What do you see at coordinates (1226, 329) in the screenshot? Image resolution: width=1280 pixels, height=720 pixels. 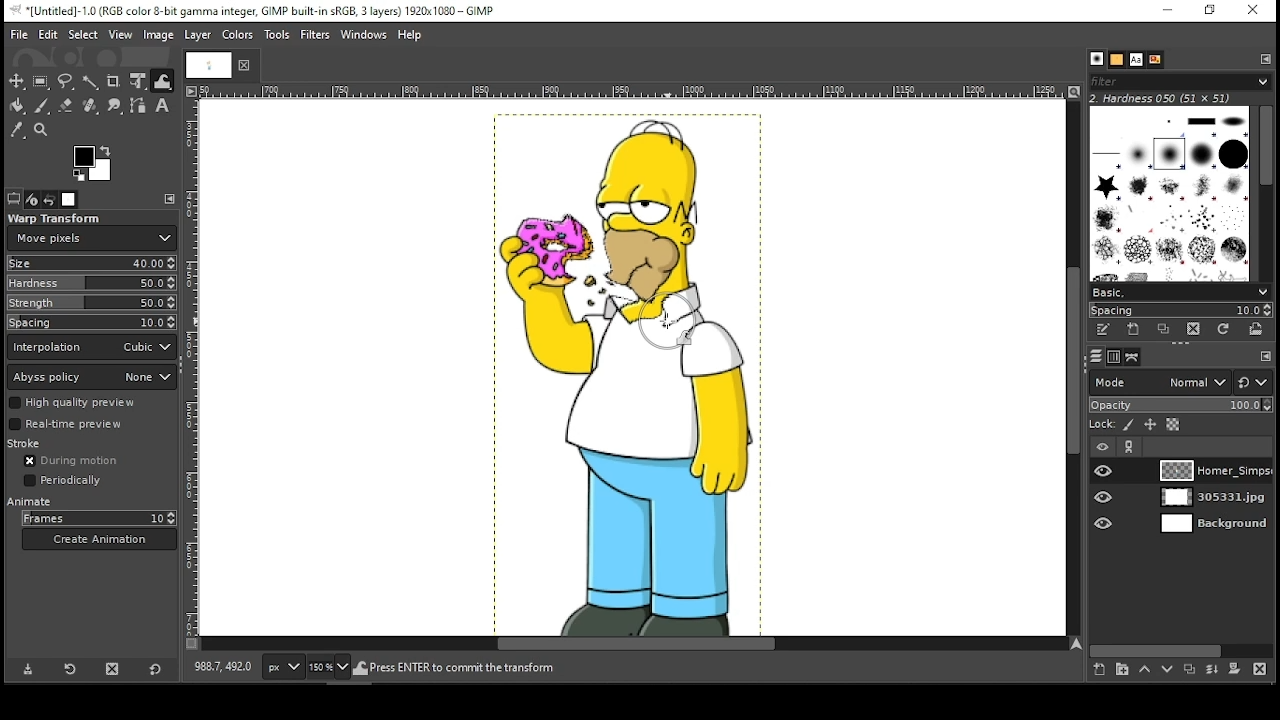 I see `refresh brushes` at bounding box center [1226, 329].